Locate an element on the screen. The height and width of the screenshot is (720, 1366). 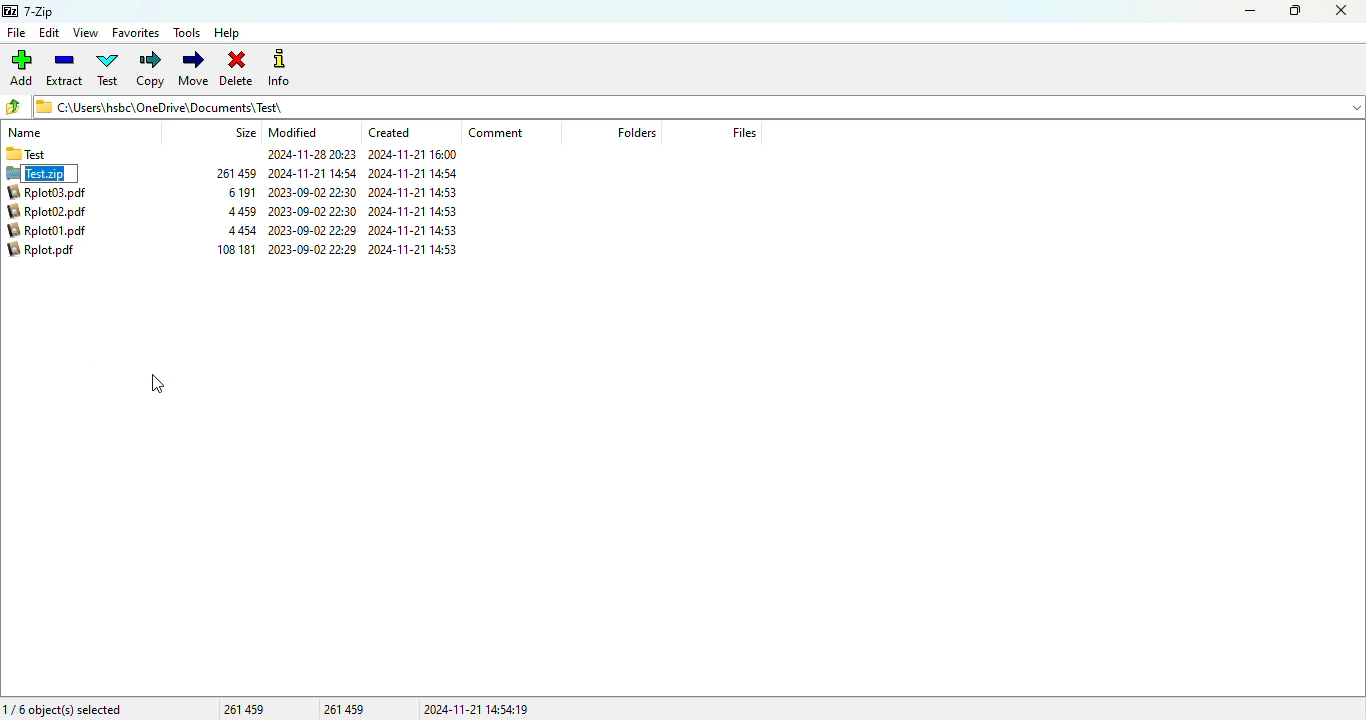
folders is located at coordinates (635, 132).